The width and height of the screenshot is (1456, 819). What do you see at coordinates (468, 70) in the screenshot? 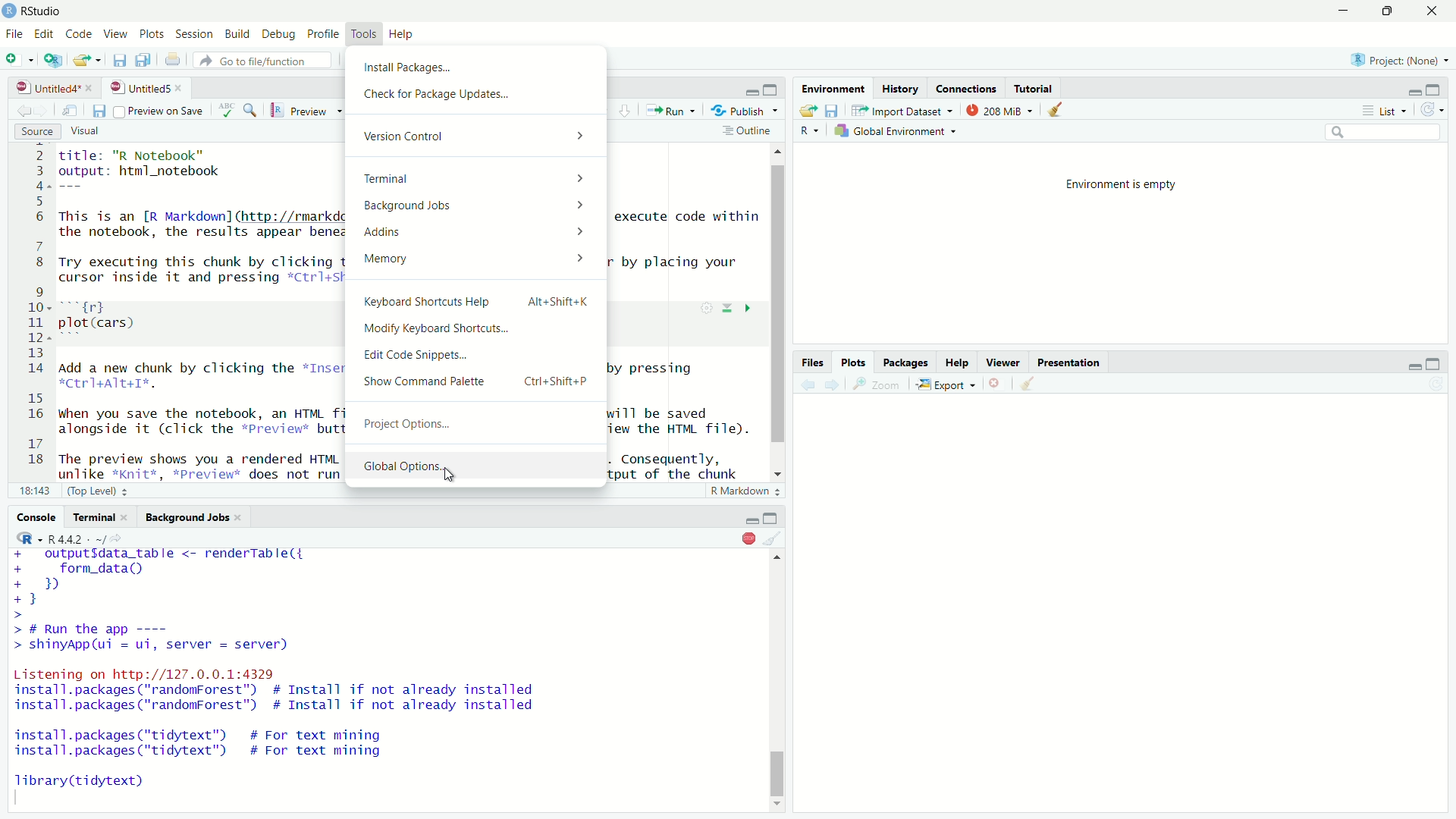
I see `Install Packages.` at bounding box center [468, 70].